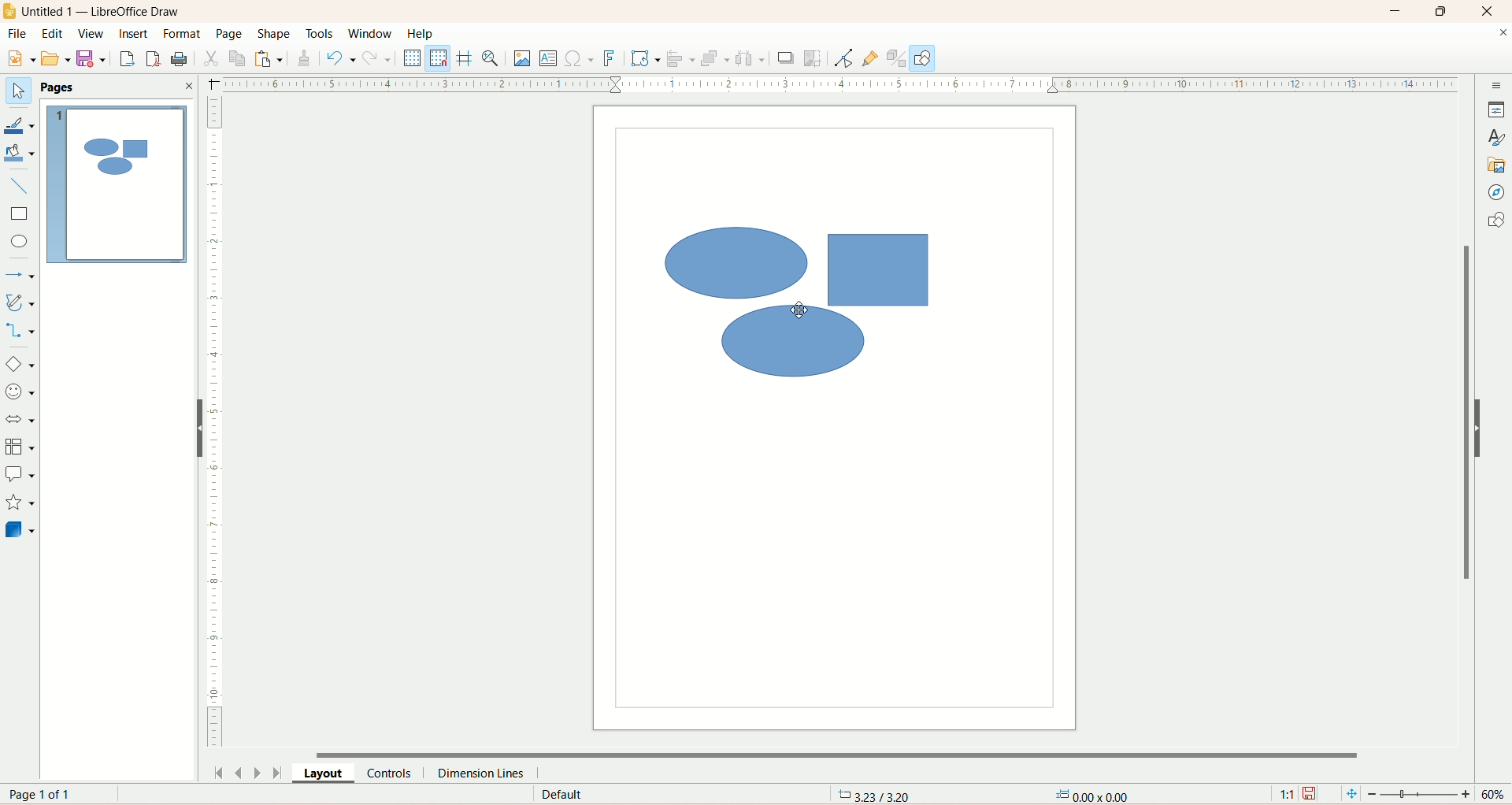  What do you see at coordinates (1423, 796) in the screenshot?
I see `zoom slider` at bounding box center [1423, 796].